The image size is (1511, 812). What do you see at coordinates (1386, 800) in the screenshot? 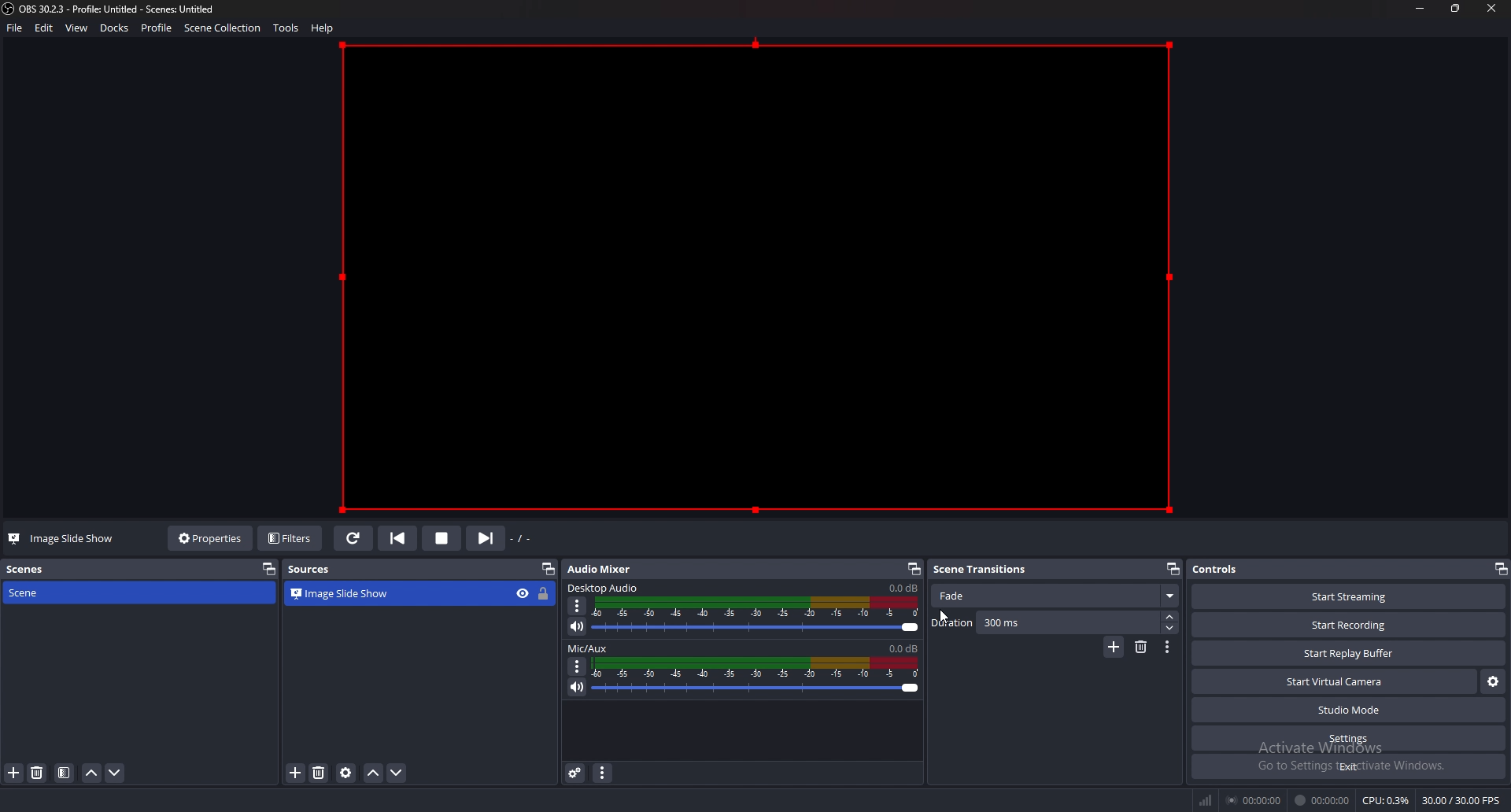
I see `cpu` at bounding box center [1386, 800].